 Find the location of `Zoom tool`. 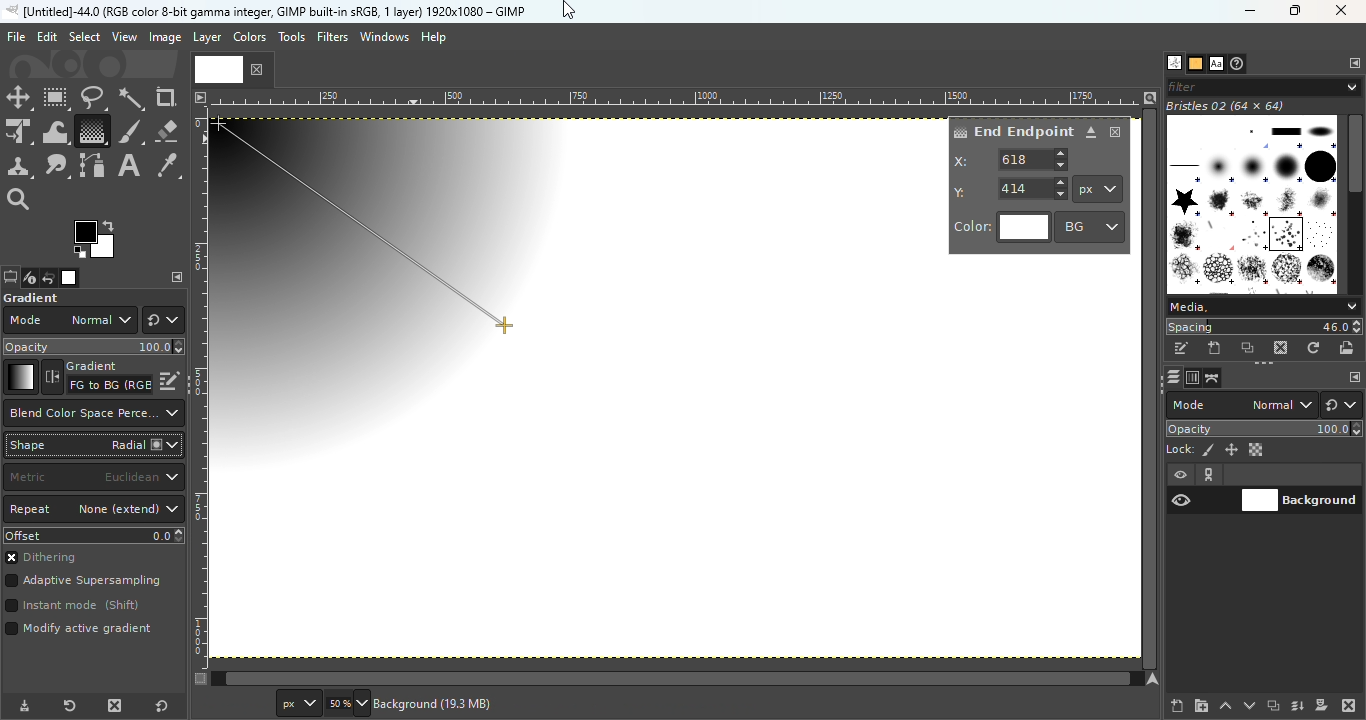

Zoom tool is located at coordinates (20, 197).